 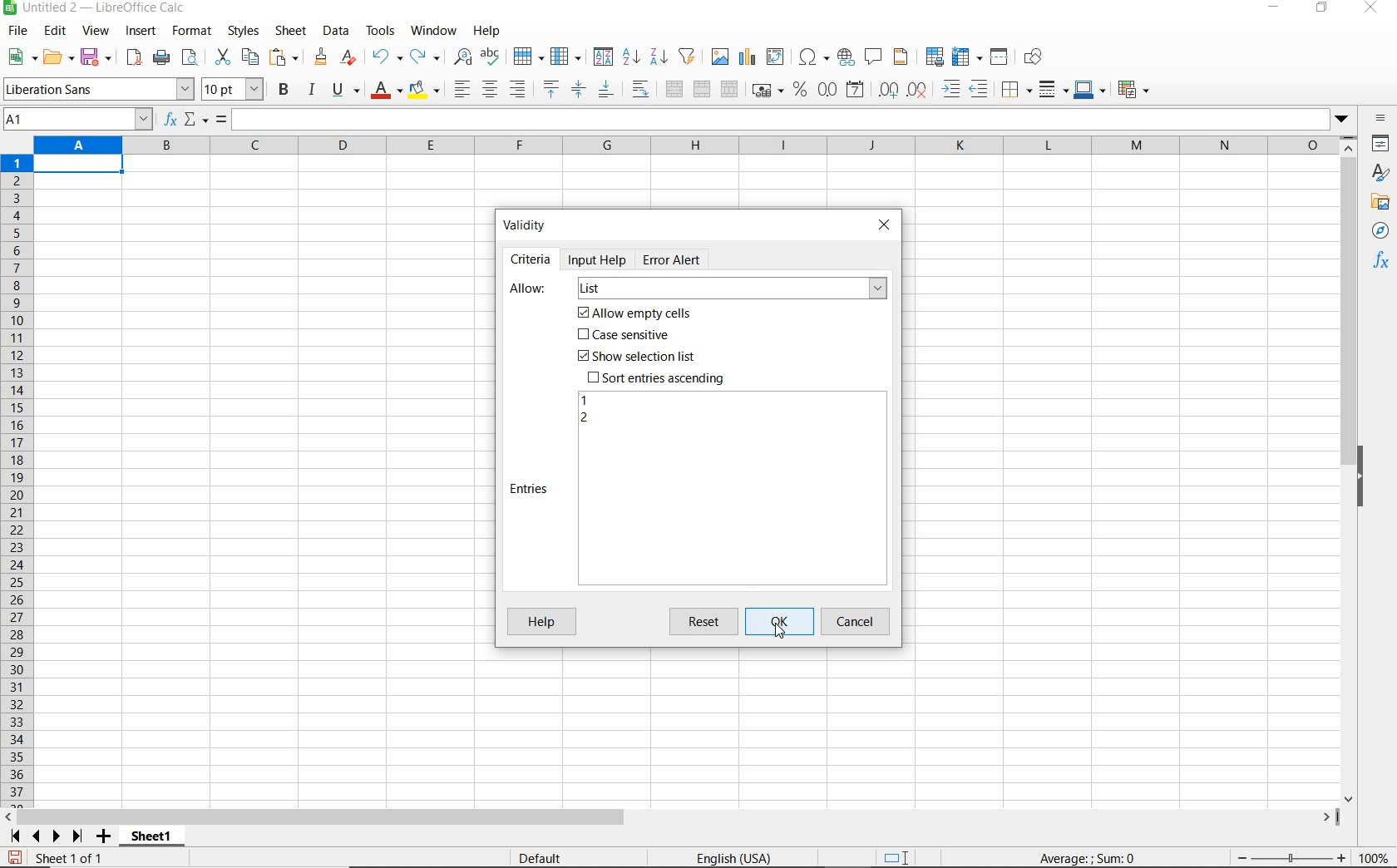 What do you see at coordinates (599, 259) in the screenshot?
I see `Input help` at bounding box center [599, 259].